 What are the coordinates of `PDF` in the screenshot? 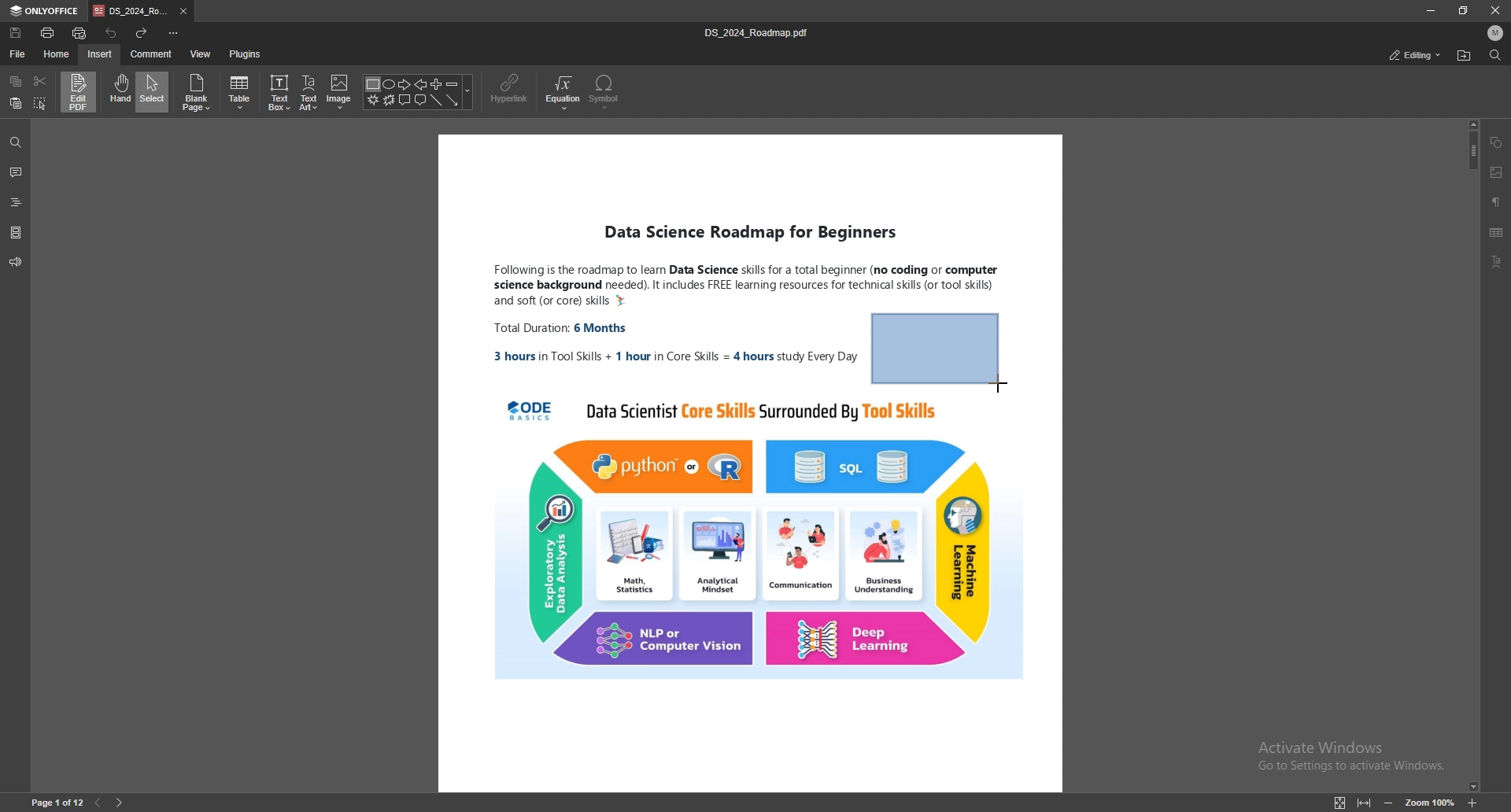 It's located at (1037, 351).